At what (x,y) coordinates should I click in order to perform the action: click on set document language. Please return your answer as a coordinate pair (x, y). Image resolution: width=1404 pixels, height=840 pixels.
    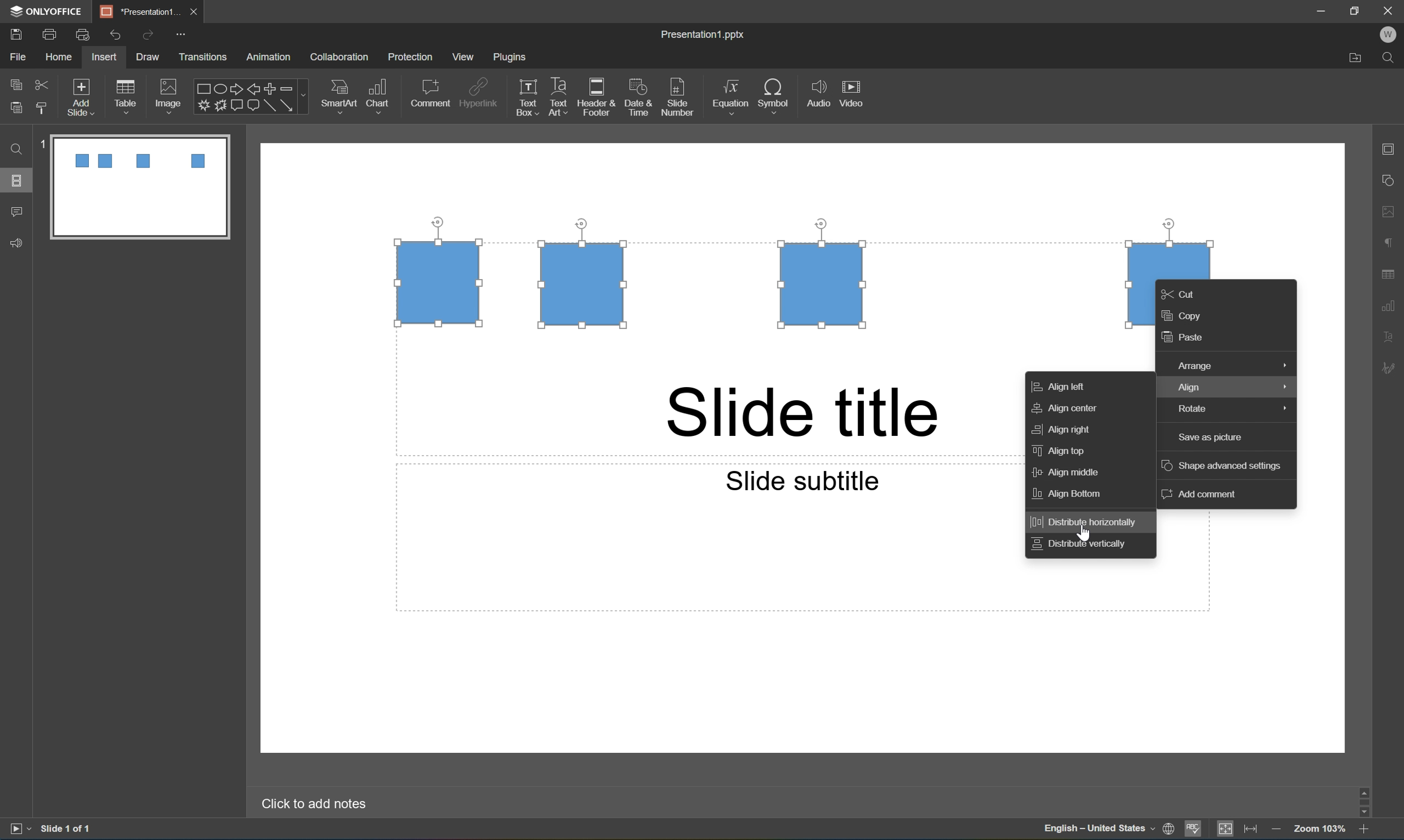
    Looking at the image, I should click on (1107, 831).